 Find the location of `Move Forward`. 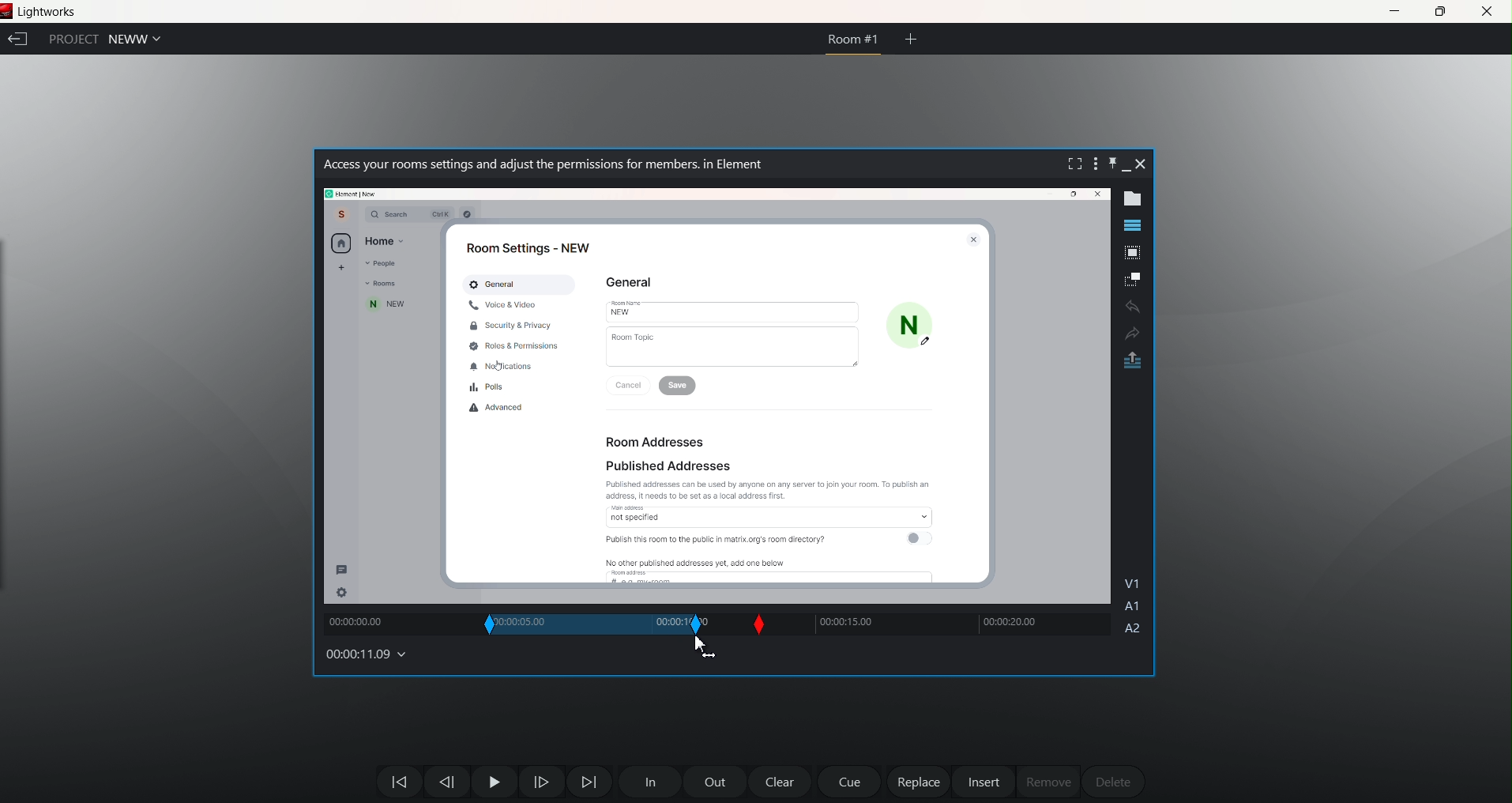

Move Forward is located at coordinates (589, 780).